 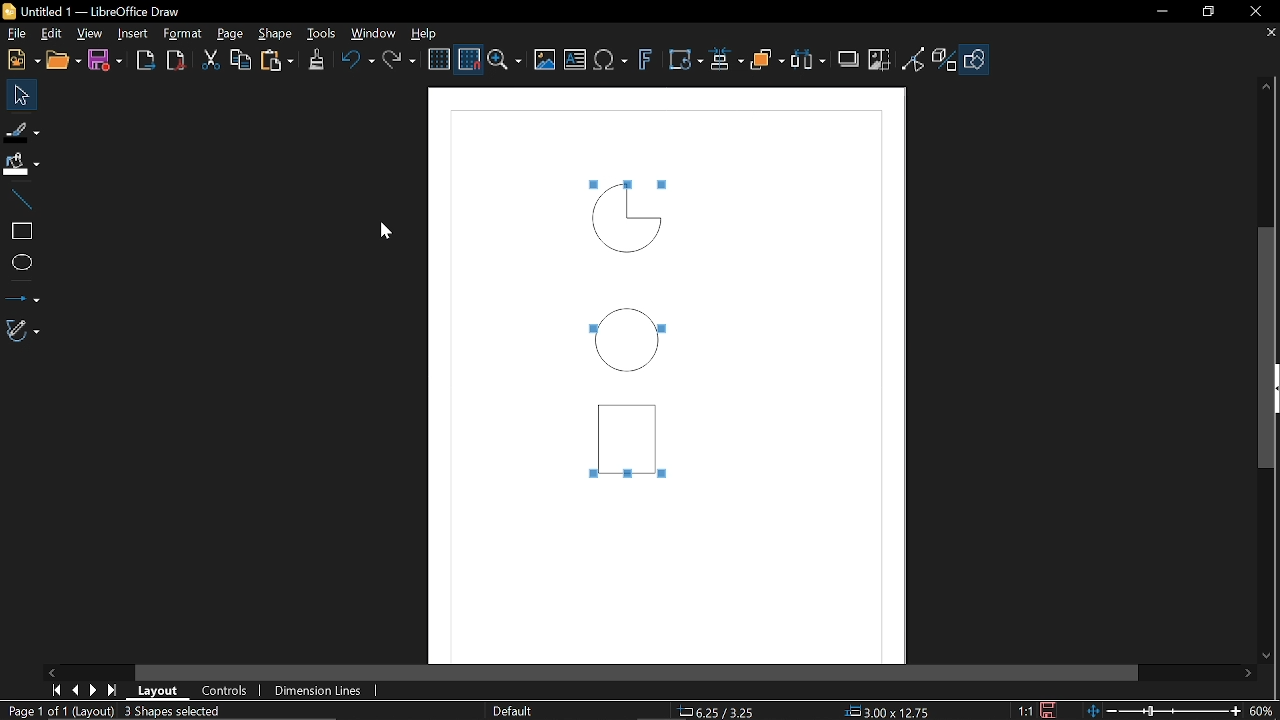 I want to click on page, so click(x=234, y=35).